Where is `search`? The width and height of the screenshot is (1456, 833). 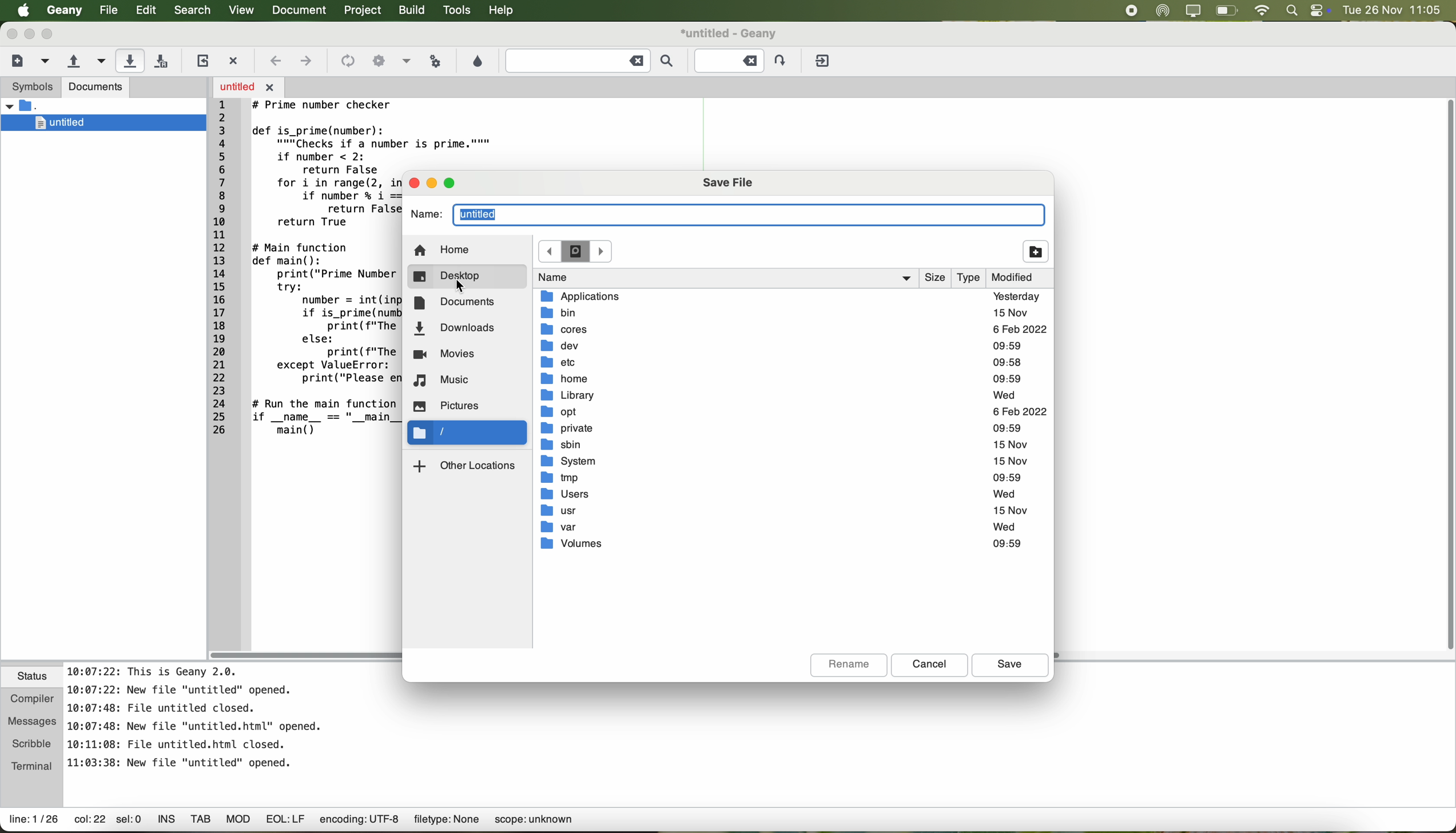
search is located at coordinates (192, 11).